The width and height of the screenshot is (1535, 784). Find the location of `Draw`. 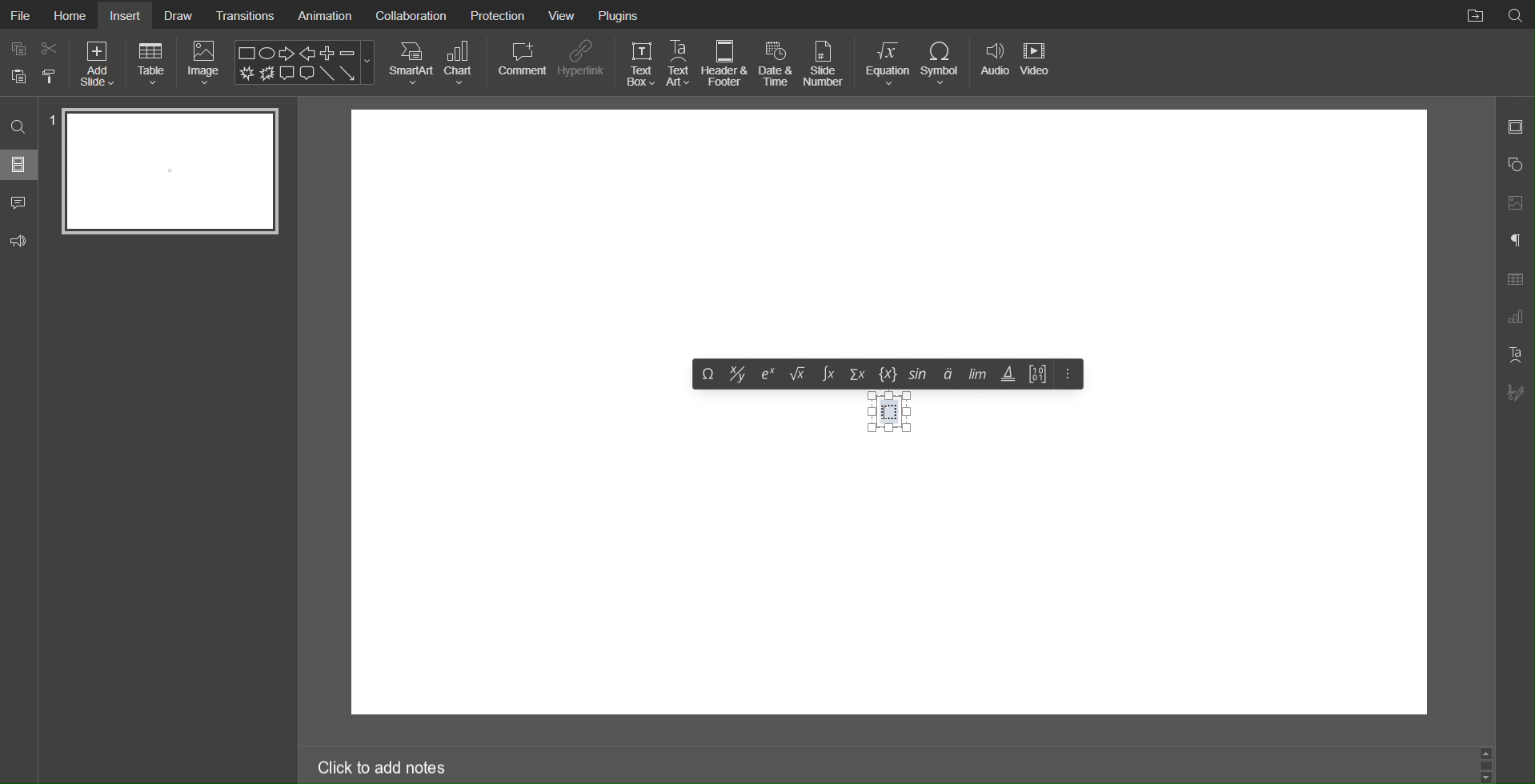

Draw is located at coordinates (185, 16).